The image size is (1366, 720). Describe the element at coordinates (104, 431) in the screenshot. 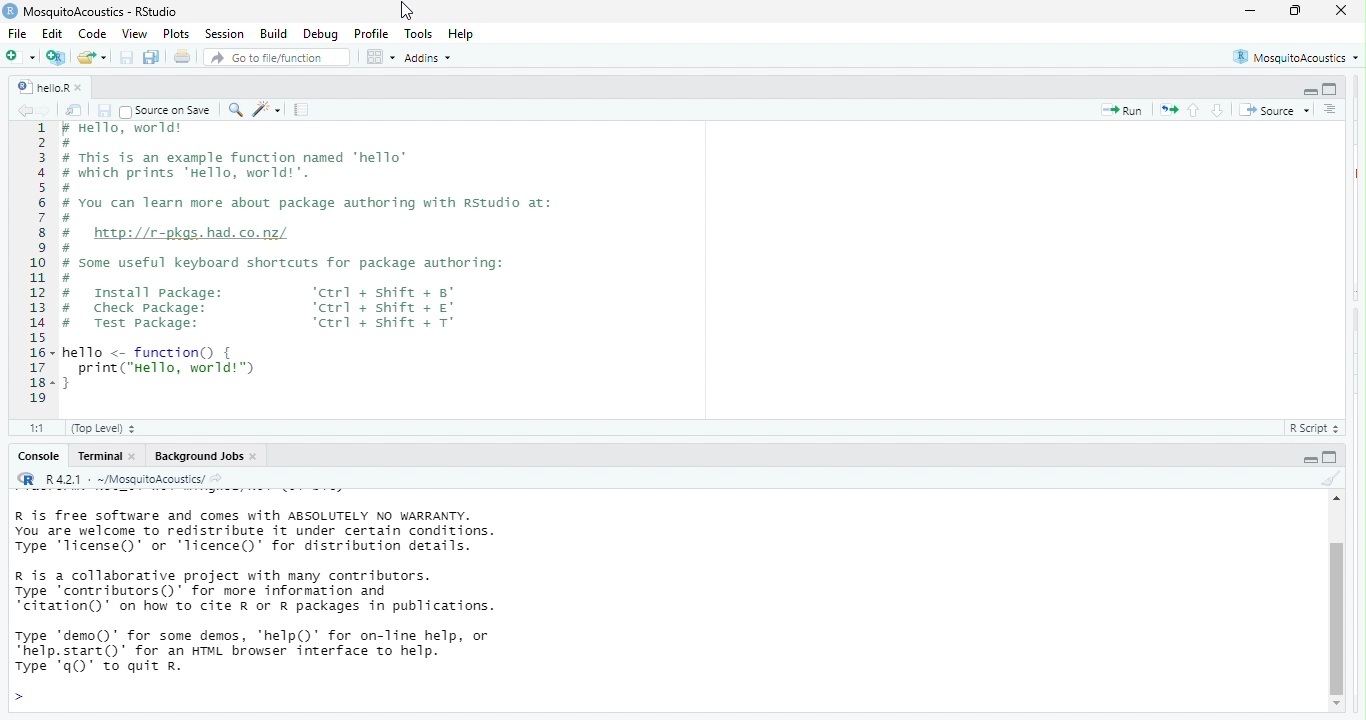

I see `(Top Level) ` at that location.